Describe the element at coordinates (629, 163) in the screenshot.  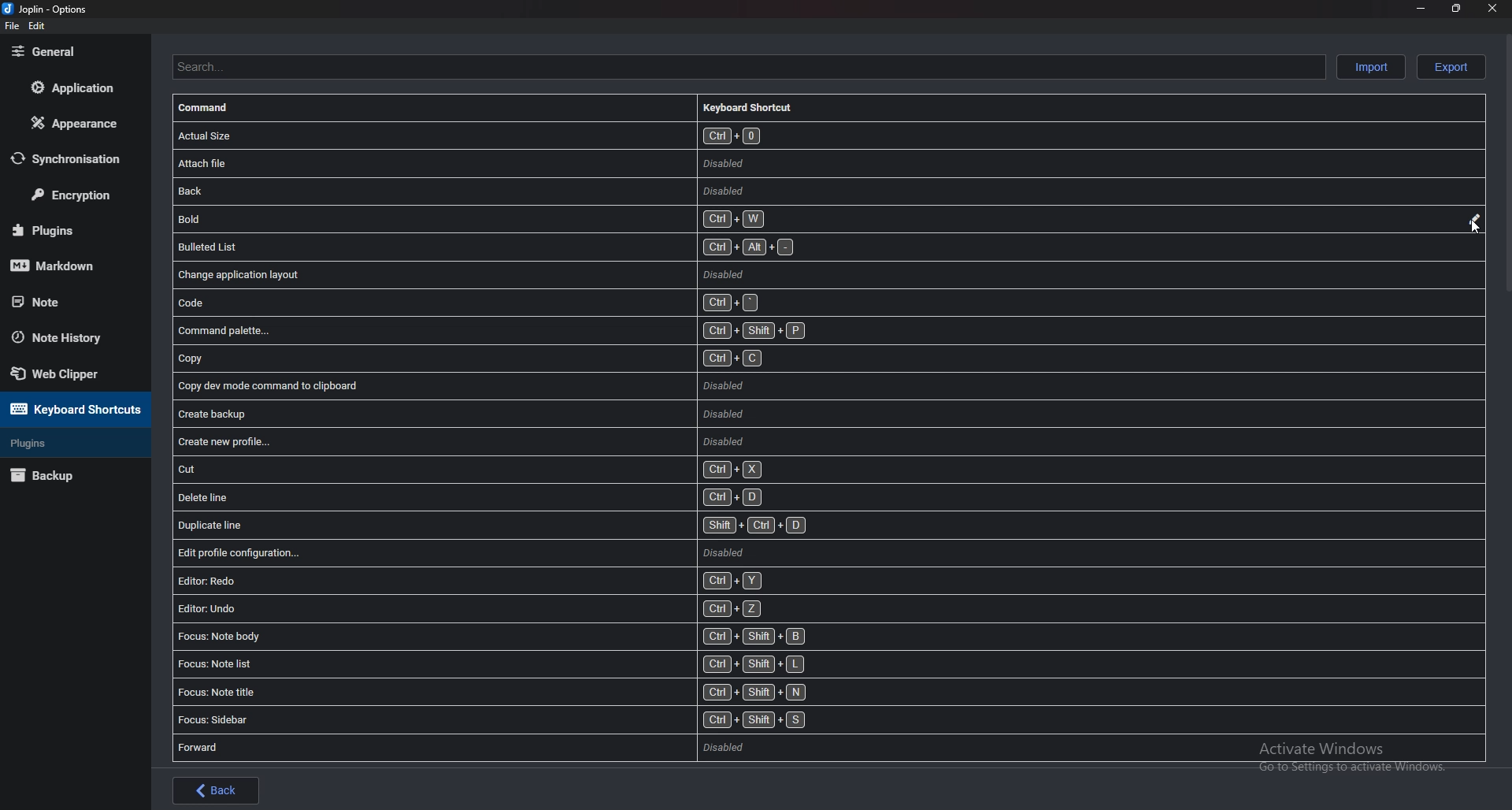
I see `Attach file` at that location.